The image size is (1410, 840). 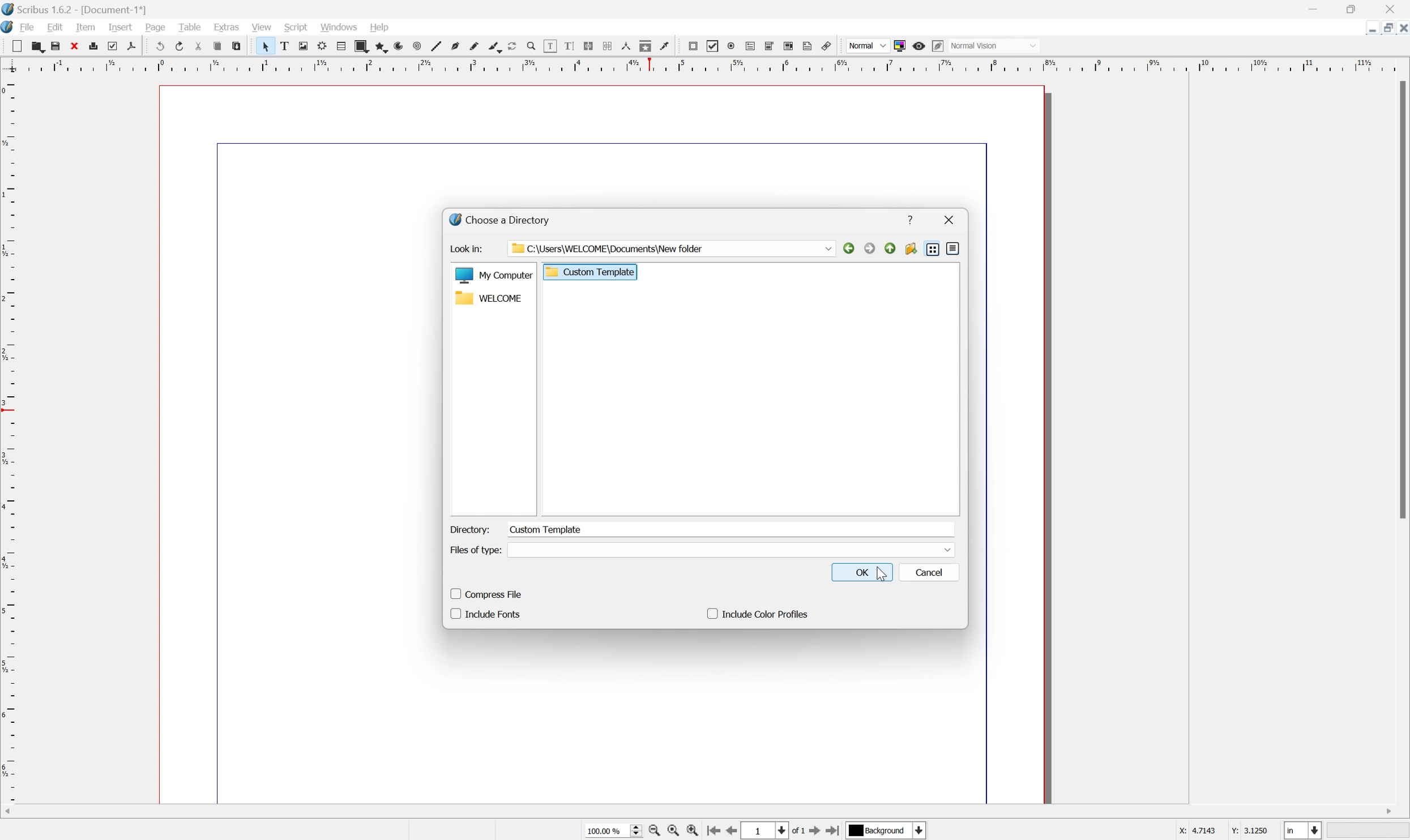 I want to click on help, so click(x=911, y=221).